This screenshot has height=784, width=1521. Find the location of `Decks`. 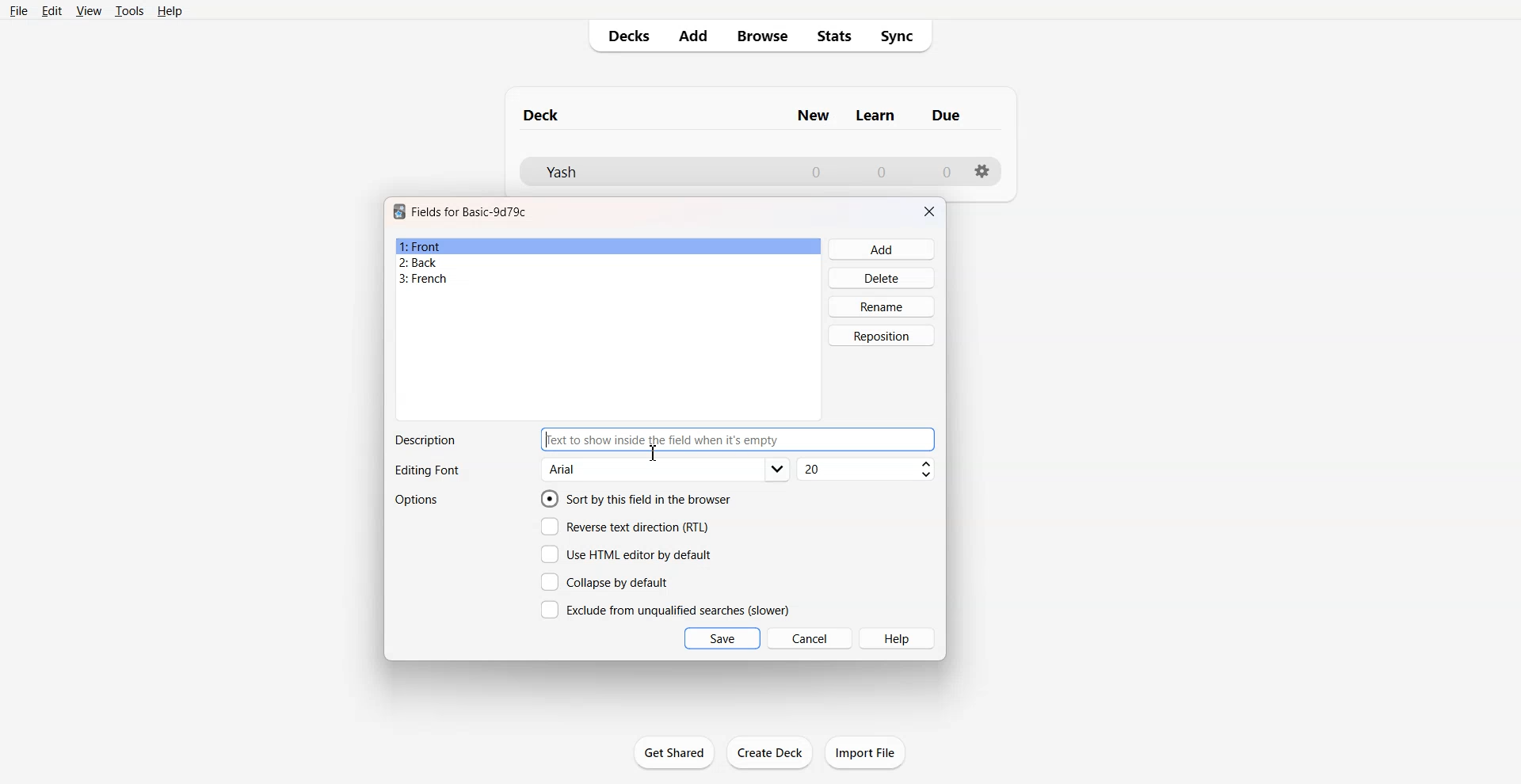

Decks is located at coordinates (623, 36).